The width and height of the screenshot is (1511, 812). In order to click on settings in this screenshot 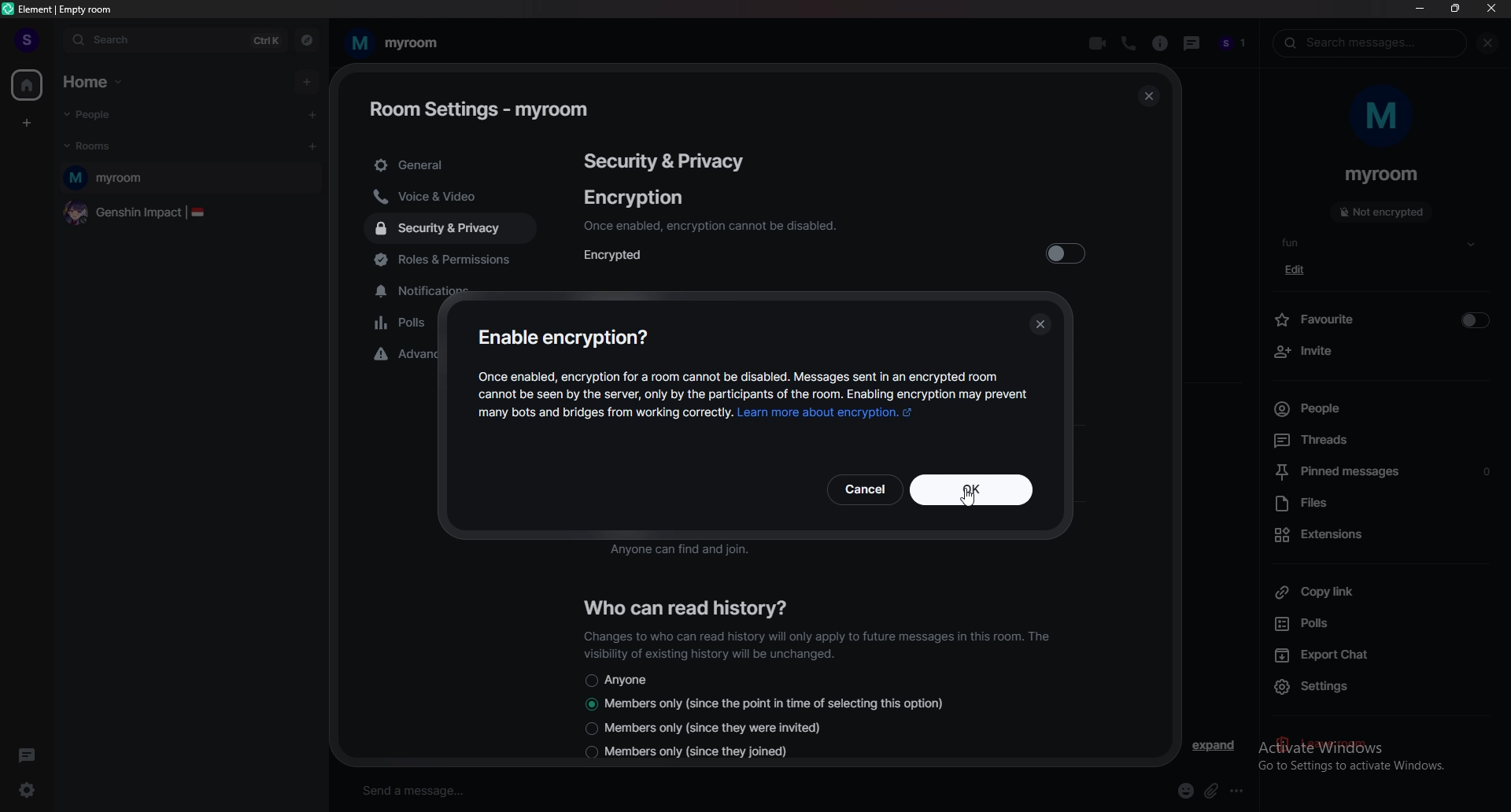, I will do `click(1313, 688)`.